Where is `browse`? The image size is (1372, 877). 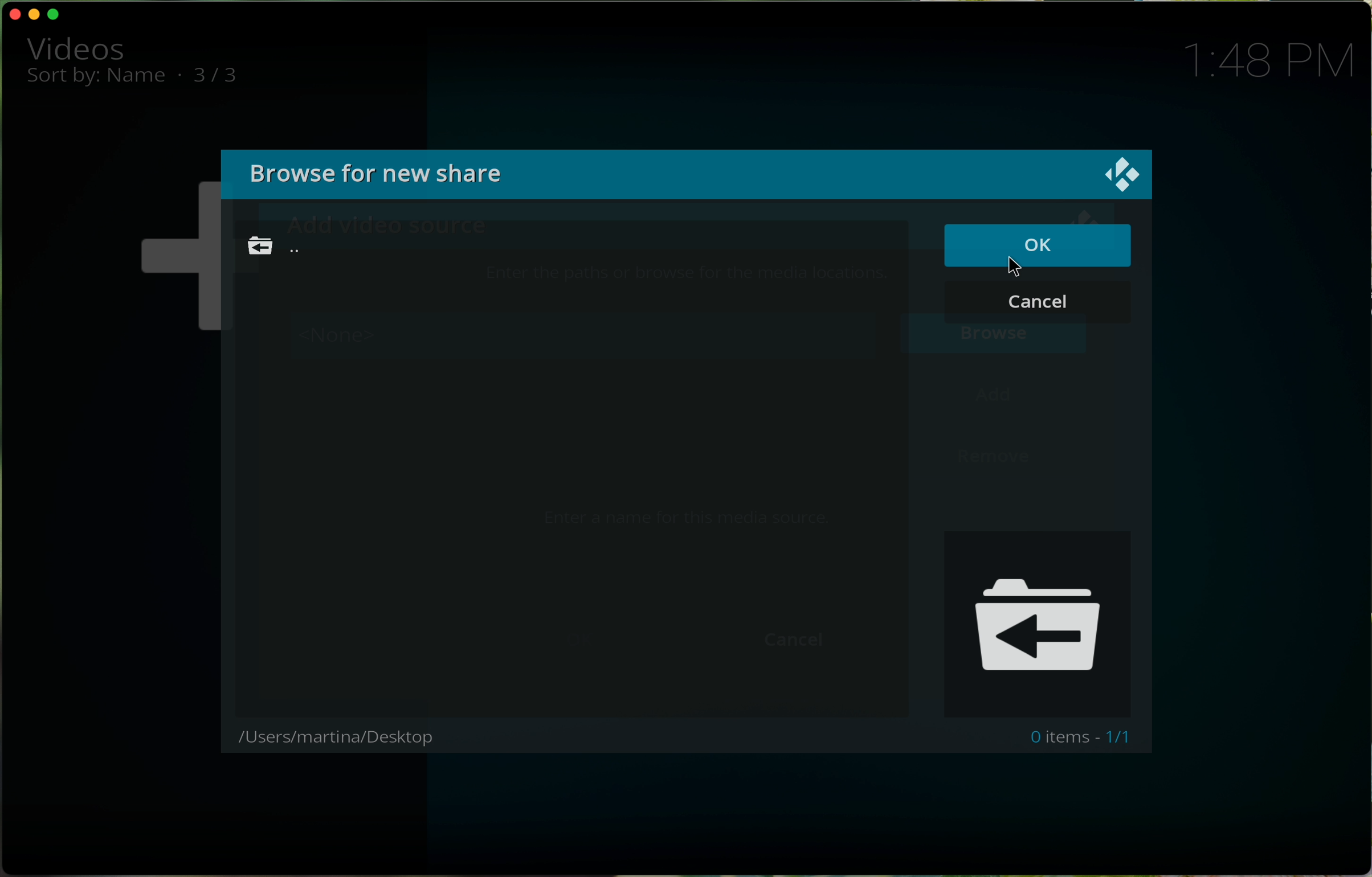
browse is located at coordinates (391, 173).